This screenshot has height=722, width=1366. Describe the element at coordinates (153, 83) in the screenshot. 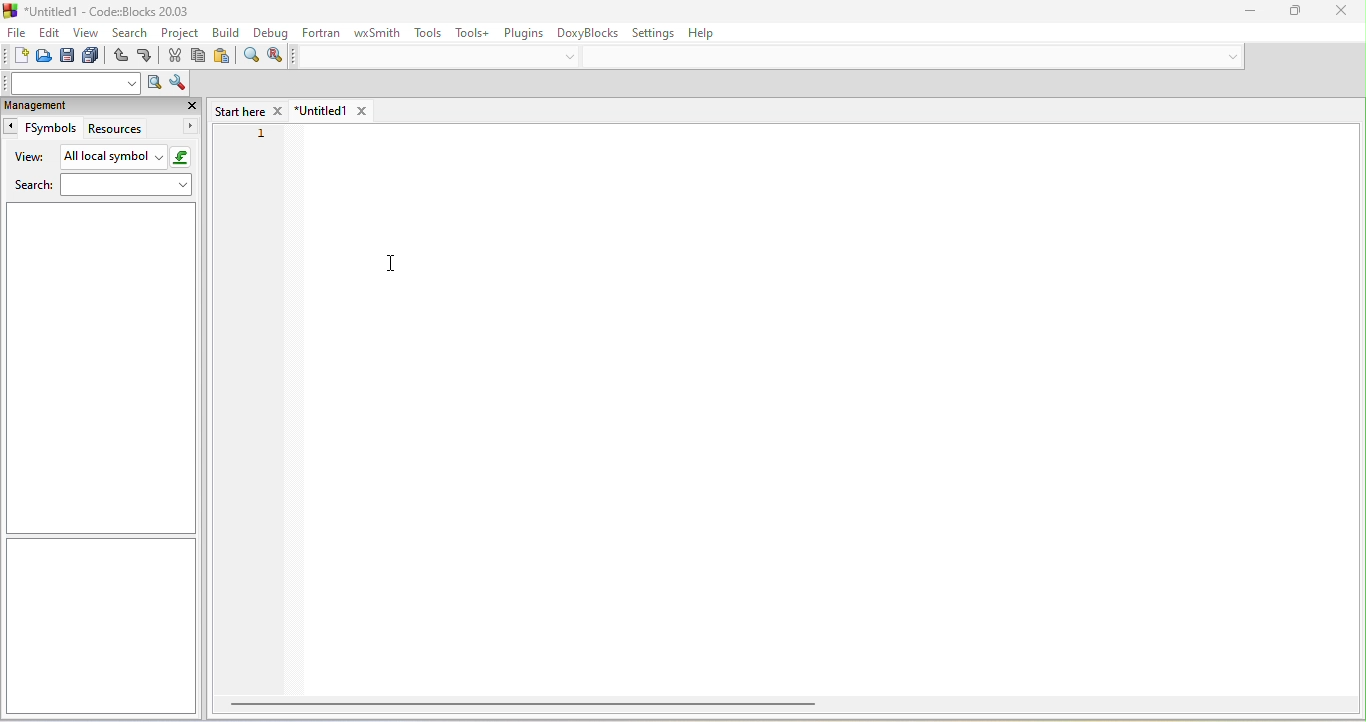

I see `run search` at that location.